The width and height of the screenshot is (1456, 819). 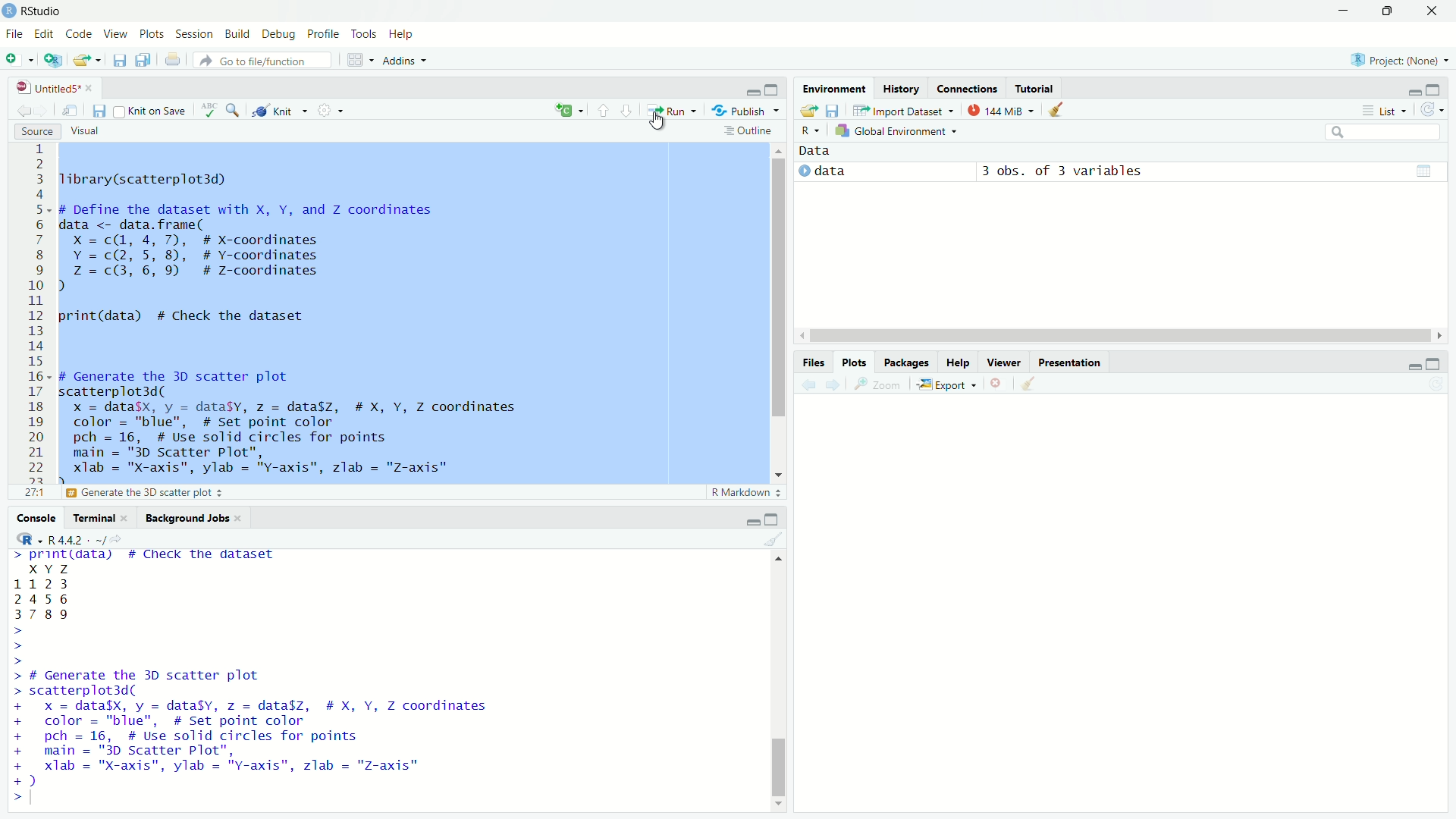 I want to click on select language, so click(x=808, y=130).